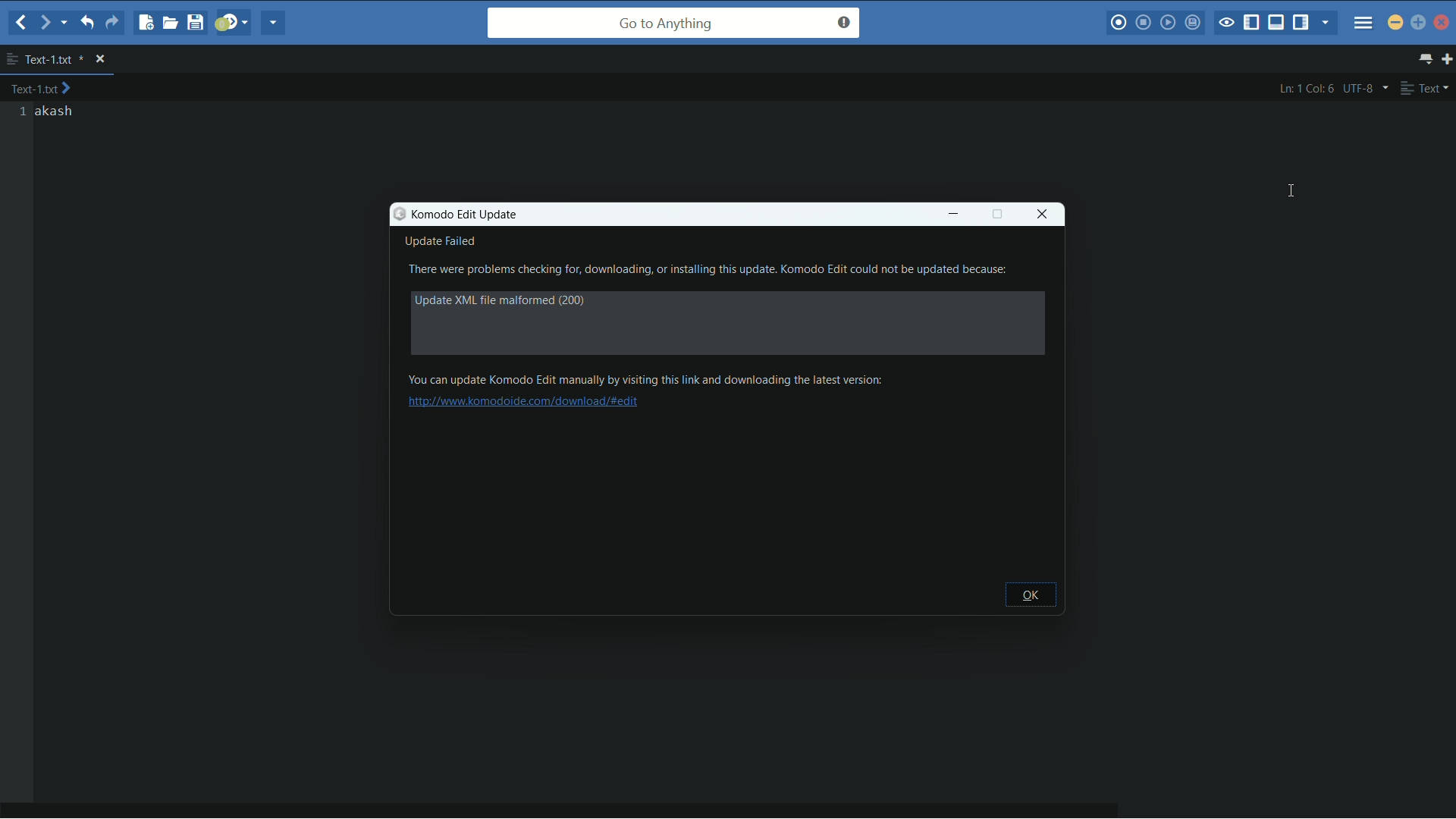 The height and width of the screenshot is (819, 1456). Describe the element at coordinates (1329, 22) in the screenshot. I see `show specific sidebar/tab` at that location.